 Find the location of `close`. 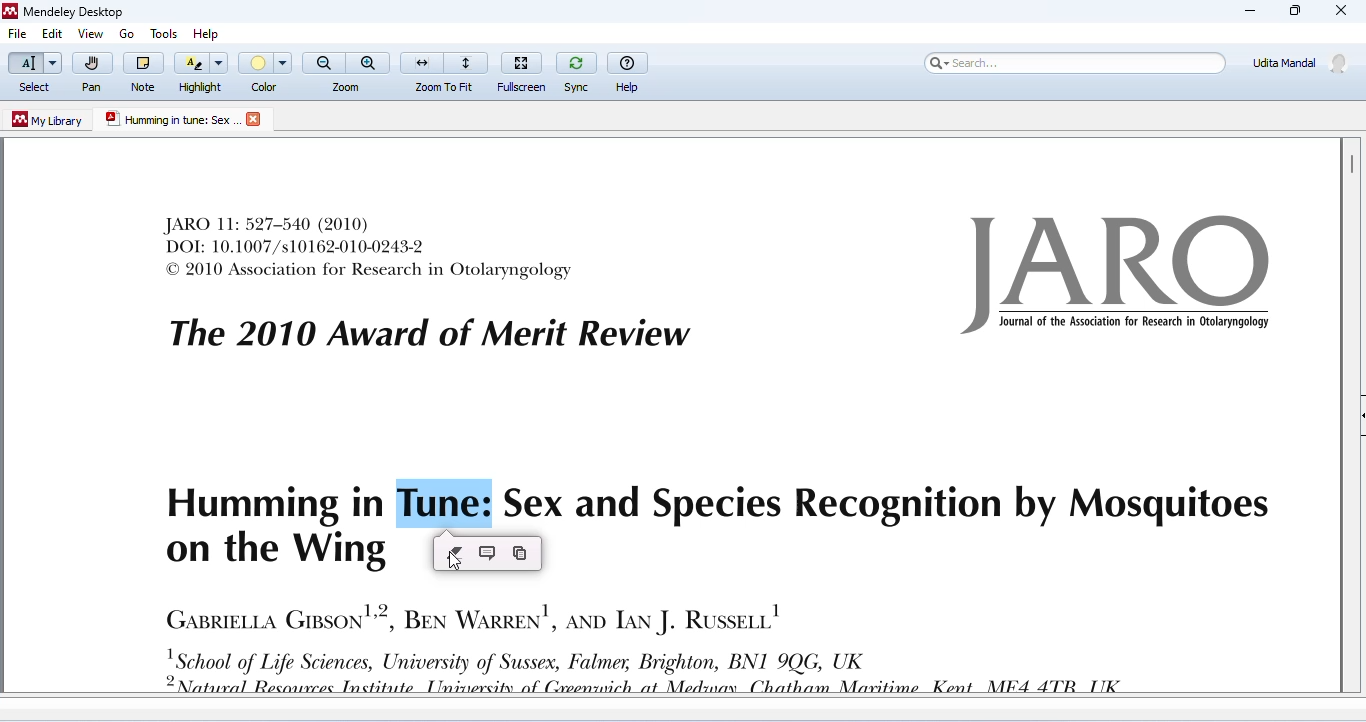

close is located at coordinates (256, 119).